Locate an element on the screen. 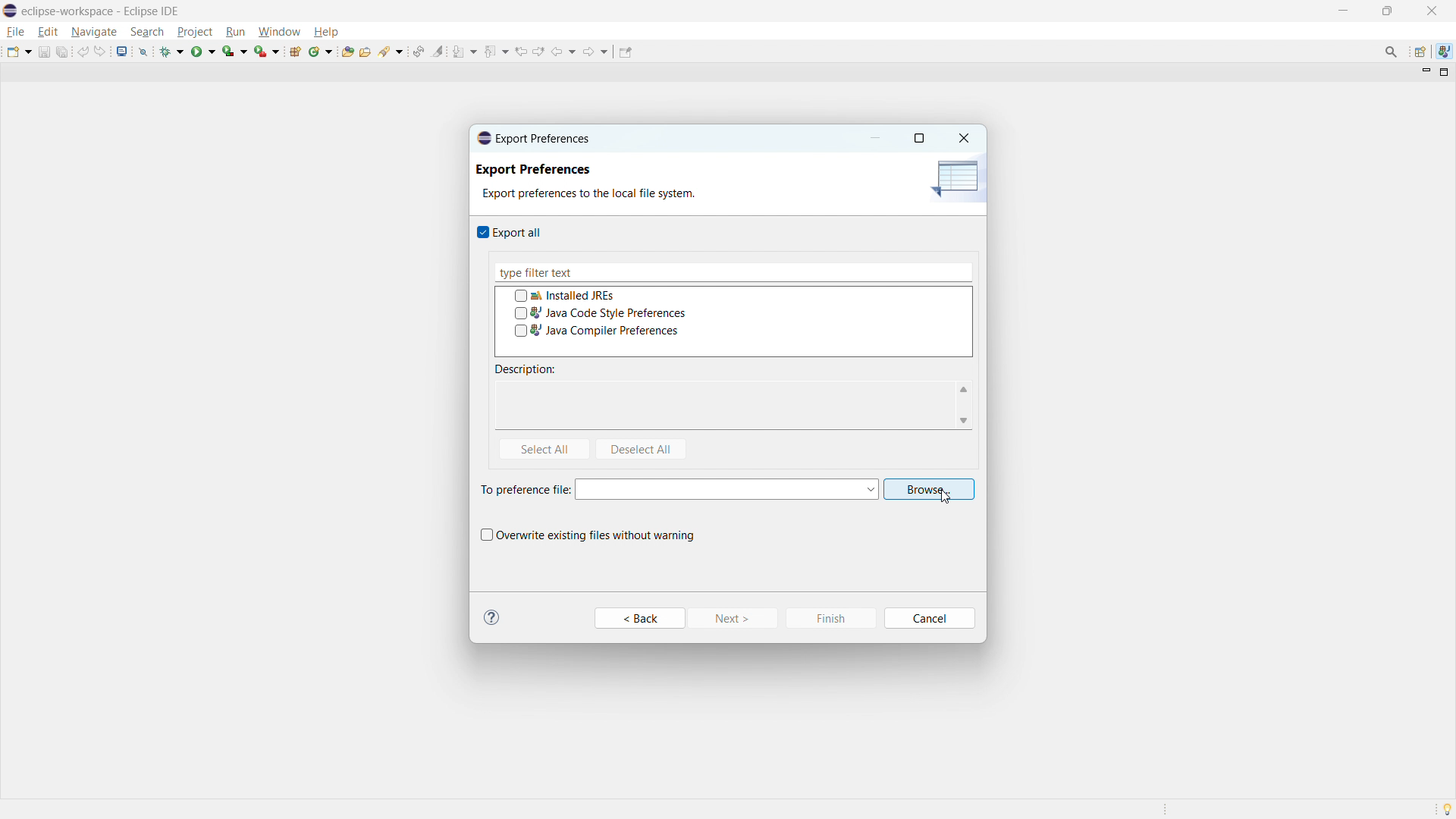 This screenshot has width=1456, height=819. browse is located at coordinates (929, 490).